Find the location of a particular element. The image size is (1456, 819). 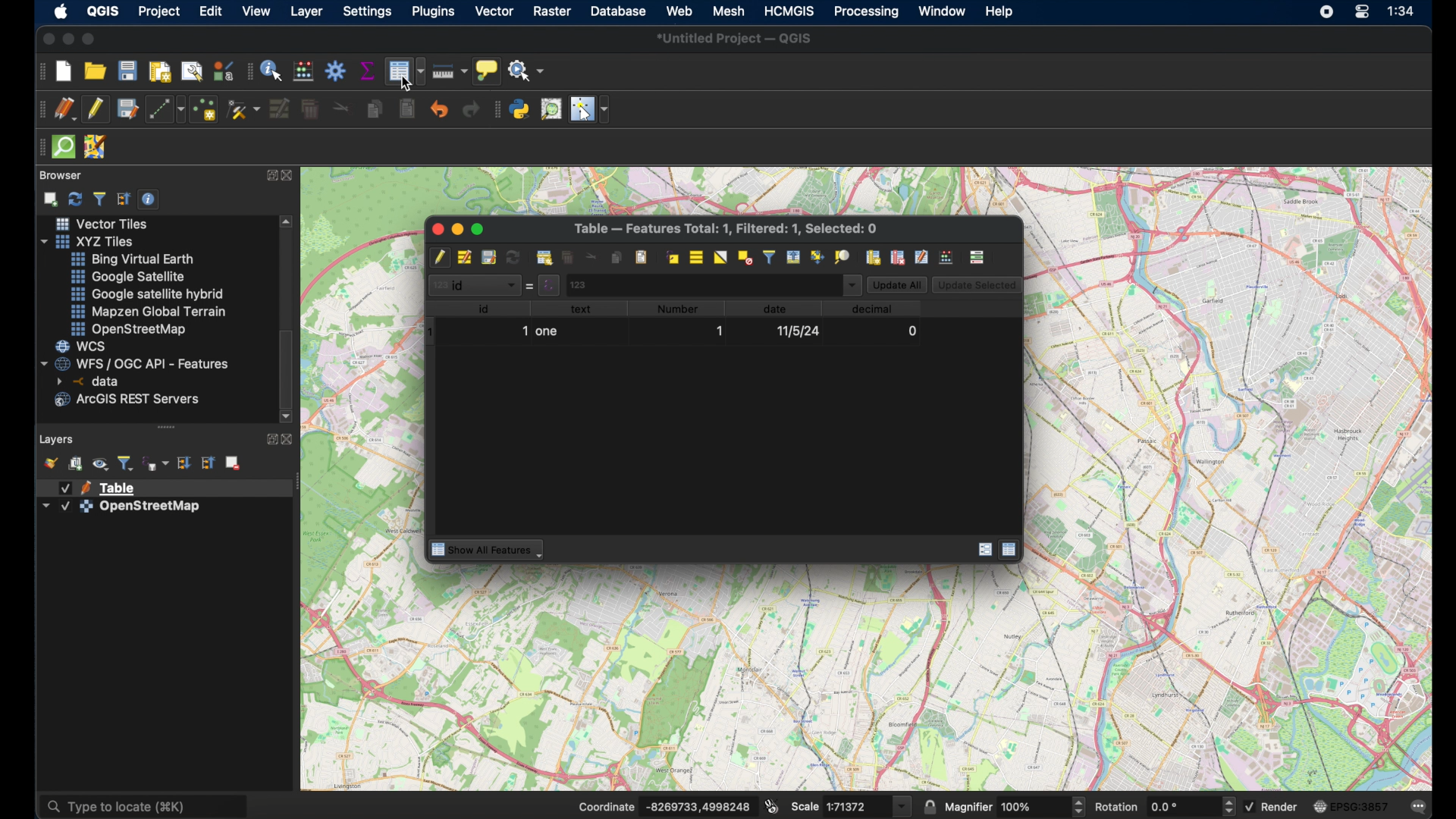

close is located at coordinates (435, 227).